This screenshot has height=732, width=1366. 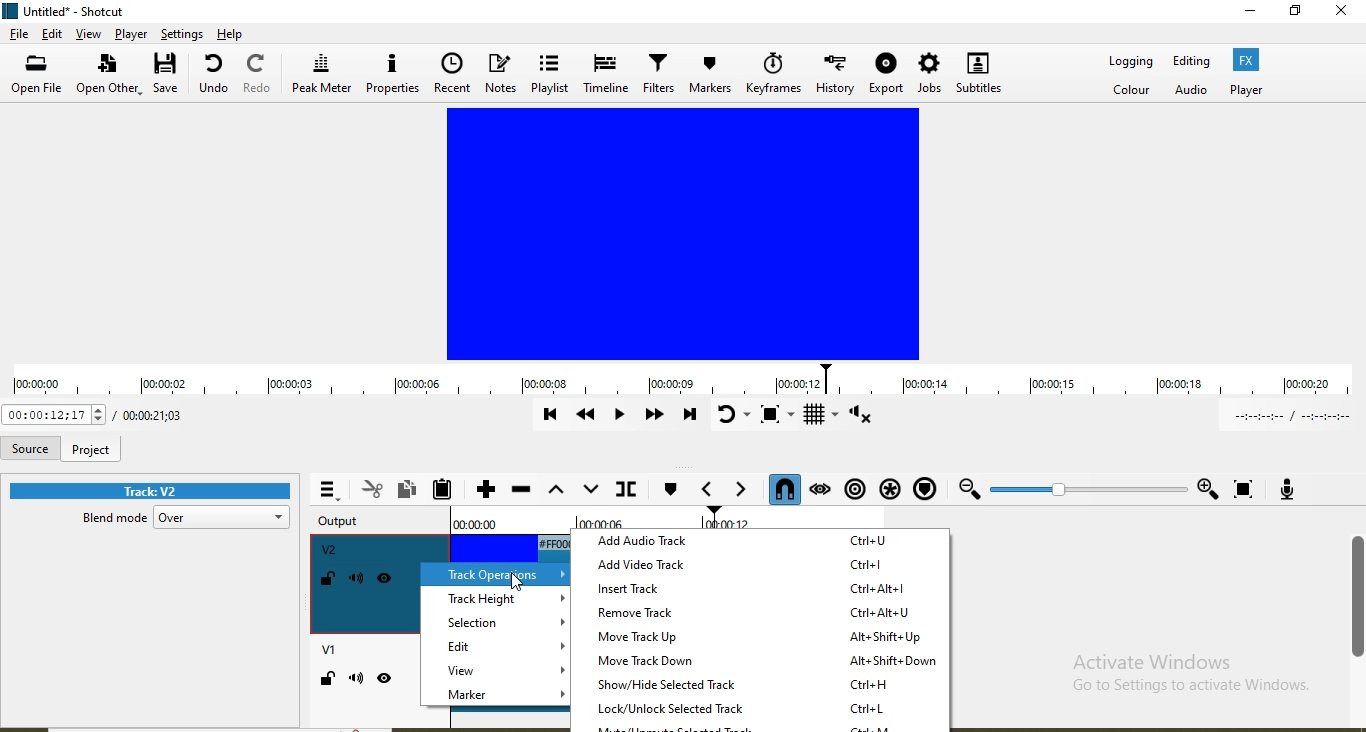 What do you see at coordinates (407, 490) in the screenshot?
I see `Copy` at bounding box center [407, 490].